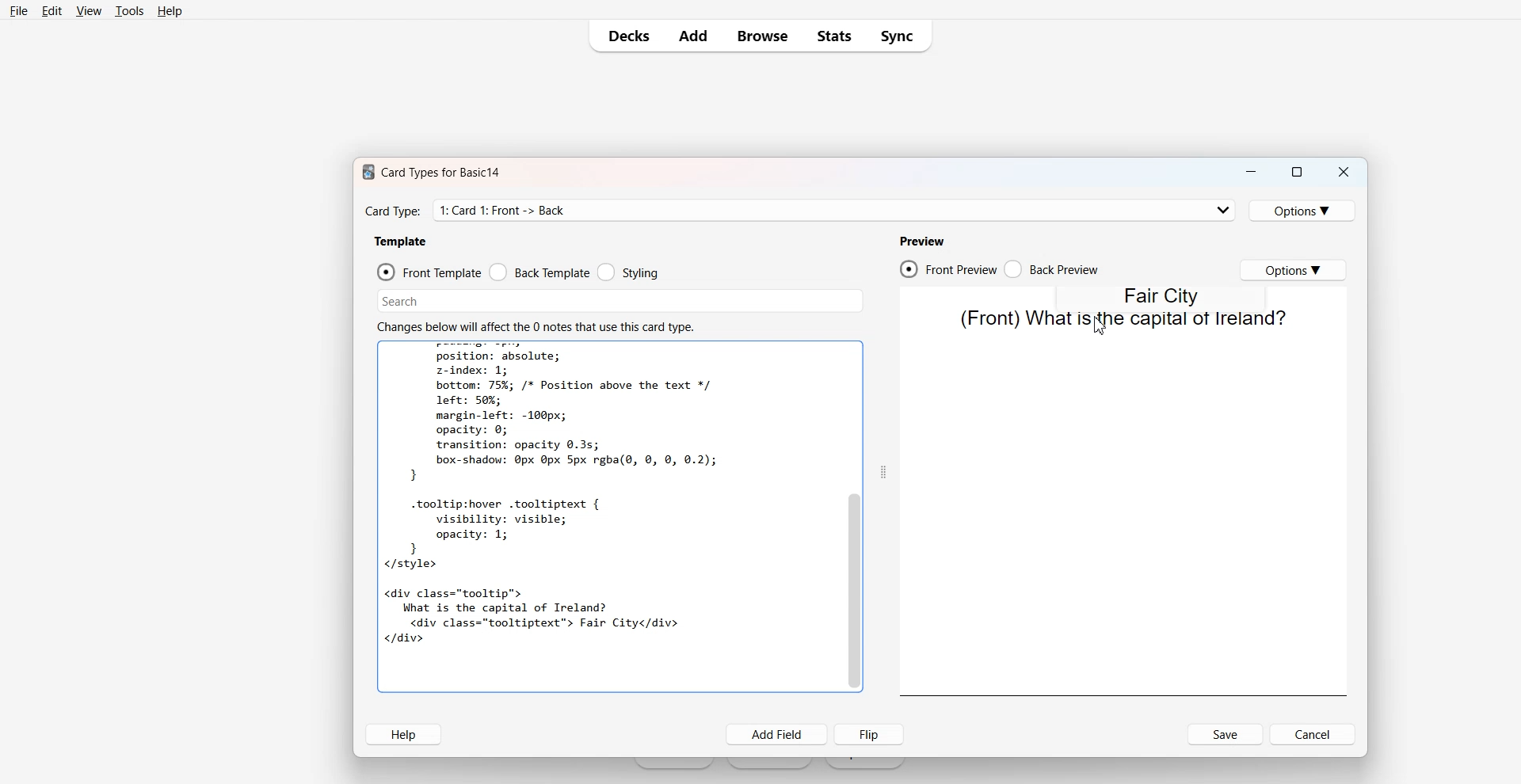 Image resolution: width=1521 pixels, height=784 pixels. What do you see at coordinates (948, 268) in the screenshot?
I see `Front Preview` at bounding box center [948, 268].